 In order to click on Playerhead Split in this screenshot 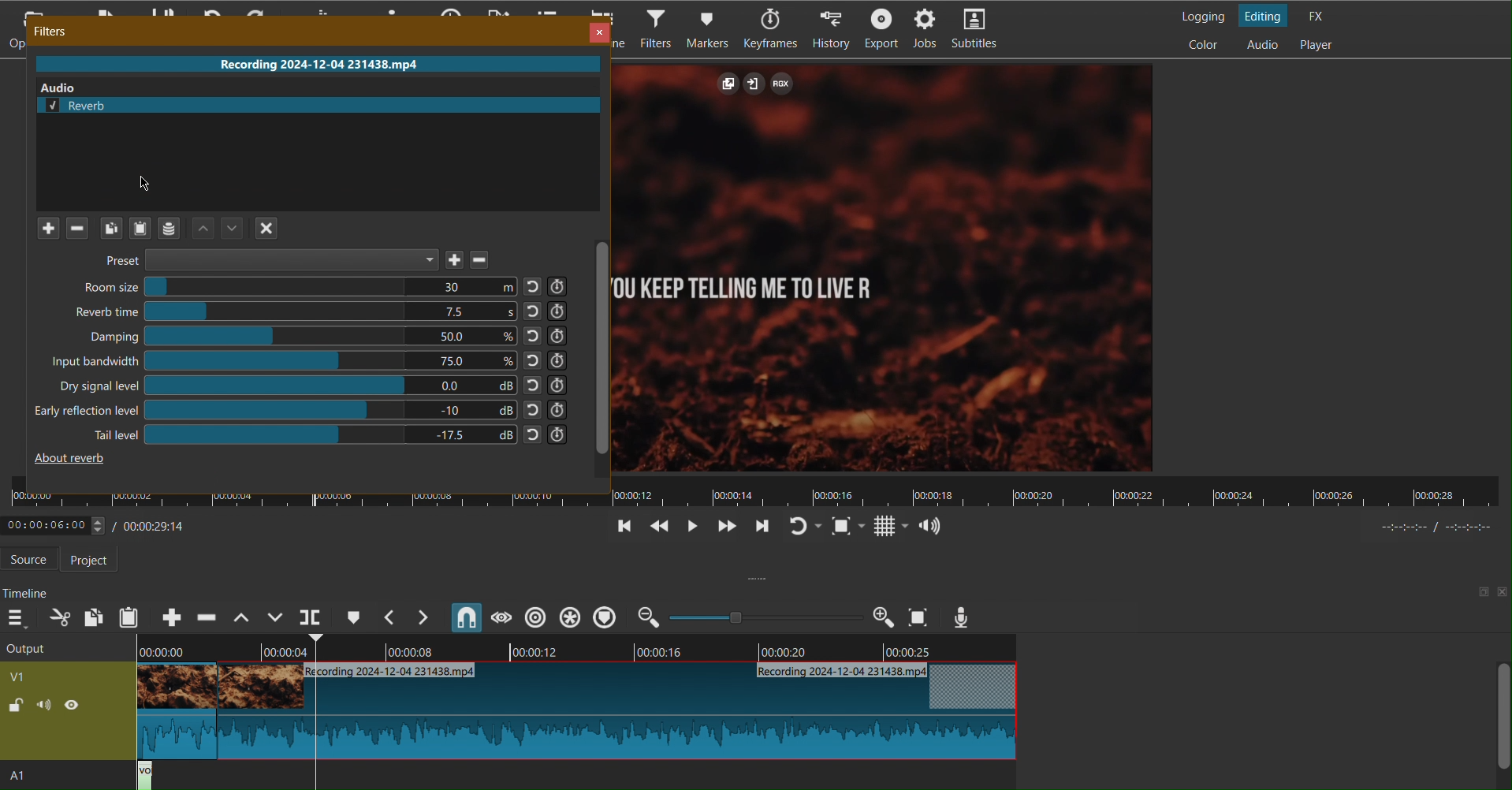, I will do `click(311, 617)`.